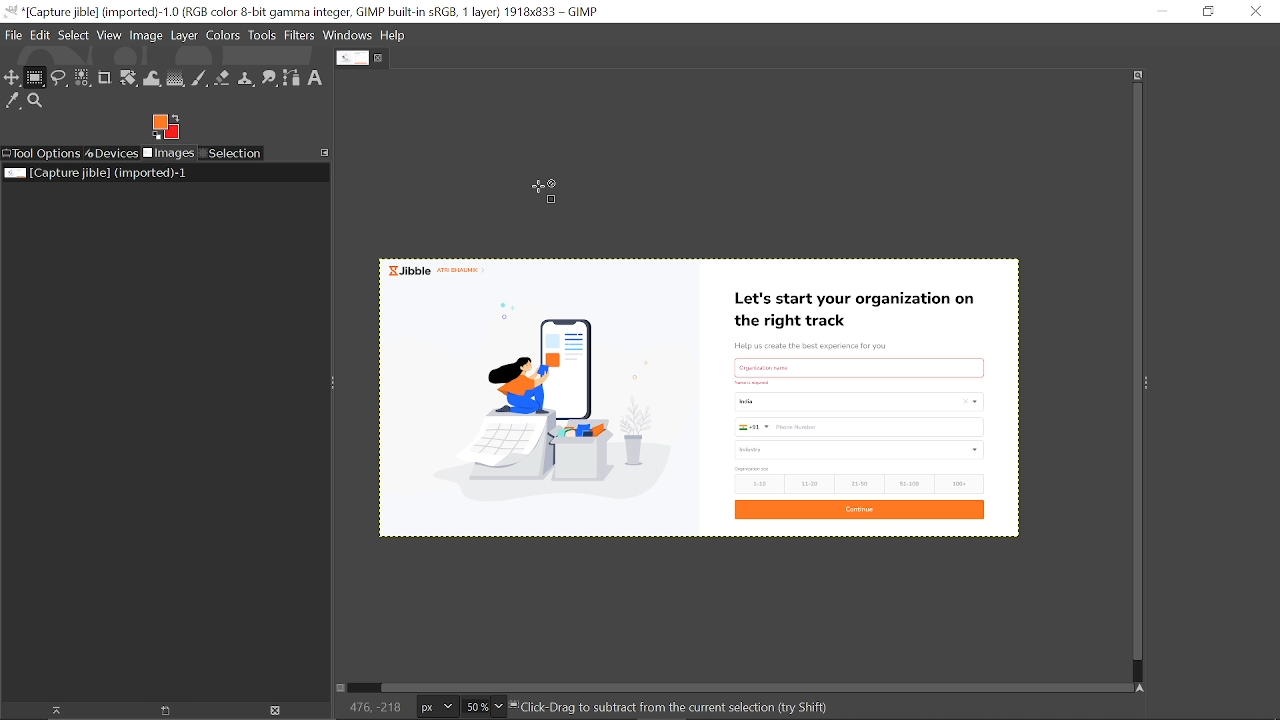 This screenshot has height=720, width=1280. Describe the element at coordinates (13, 102) in the screenshot. I see `Color picker tool` at that location.